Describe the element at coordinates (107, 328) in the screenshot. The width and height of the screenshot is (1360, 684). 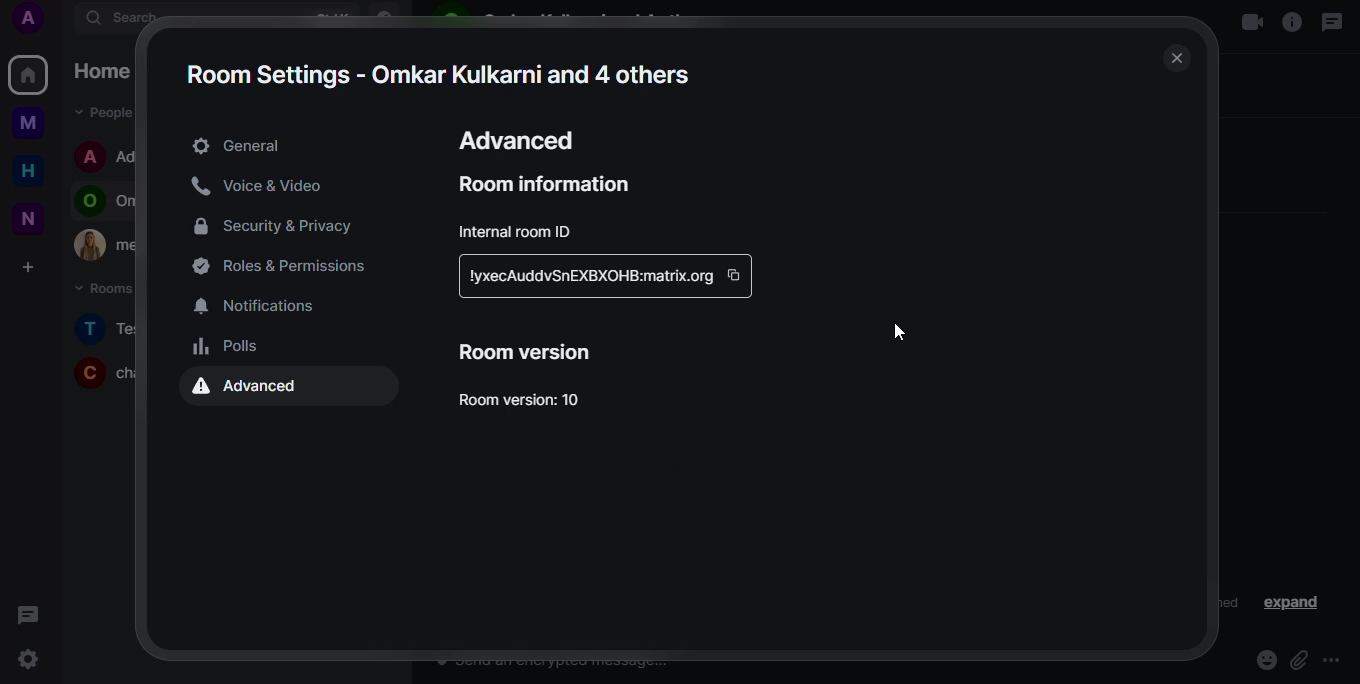
I see `room` at that location.